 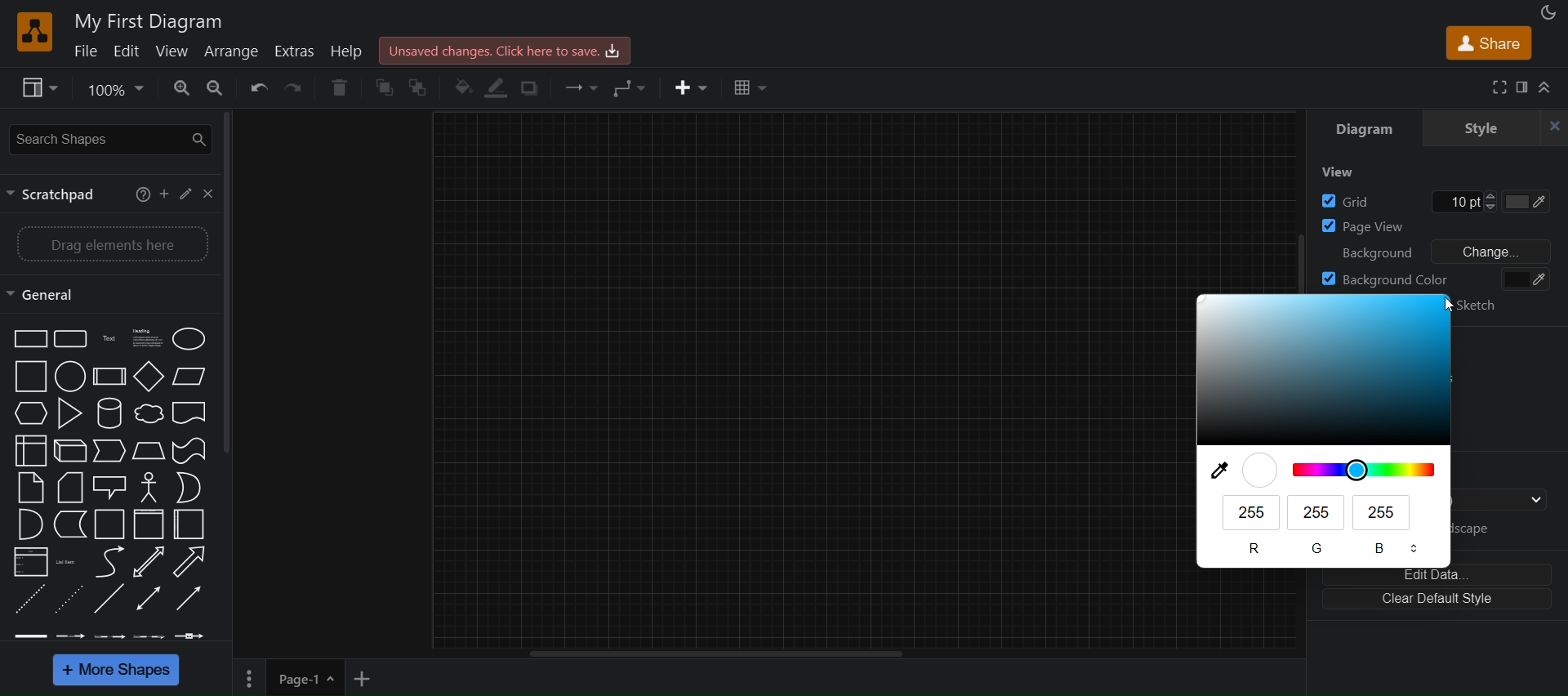 I want to click on drag elements here, so click(x=111, y=243).